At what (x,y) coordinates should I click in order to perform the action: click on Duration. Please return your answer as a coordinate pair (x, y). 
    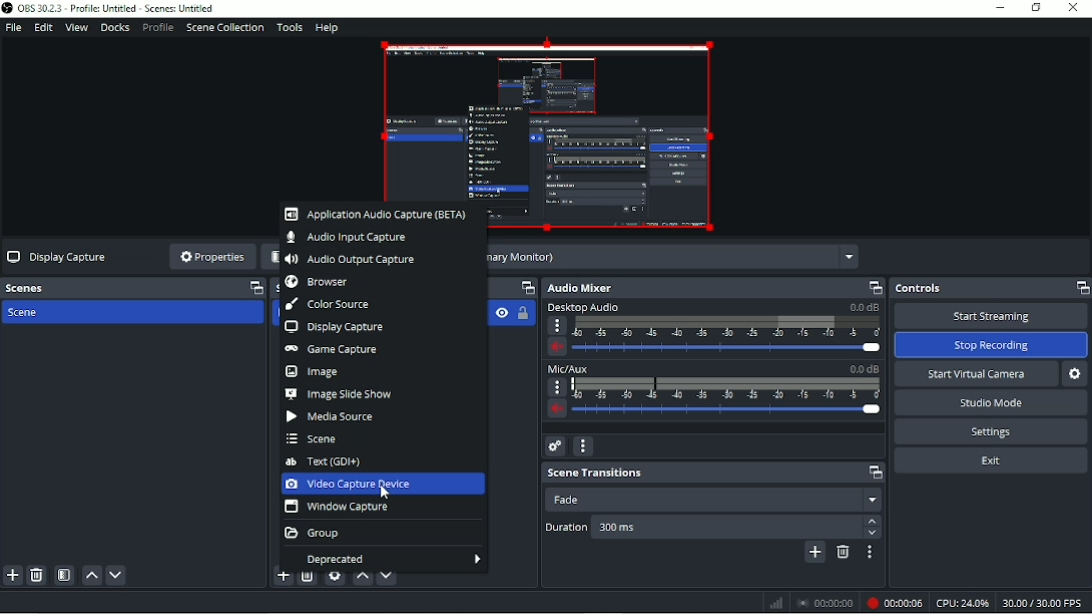
    Looking at the image, I should click on (566, 526).